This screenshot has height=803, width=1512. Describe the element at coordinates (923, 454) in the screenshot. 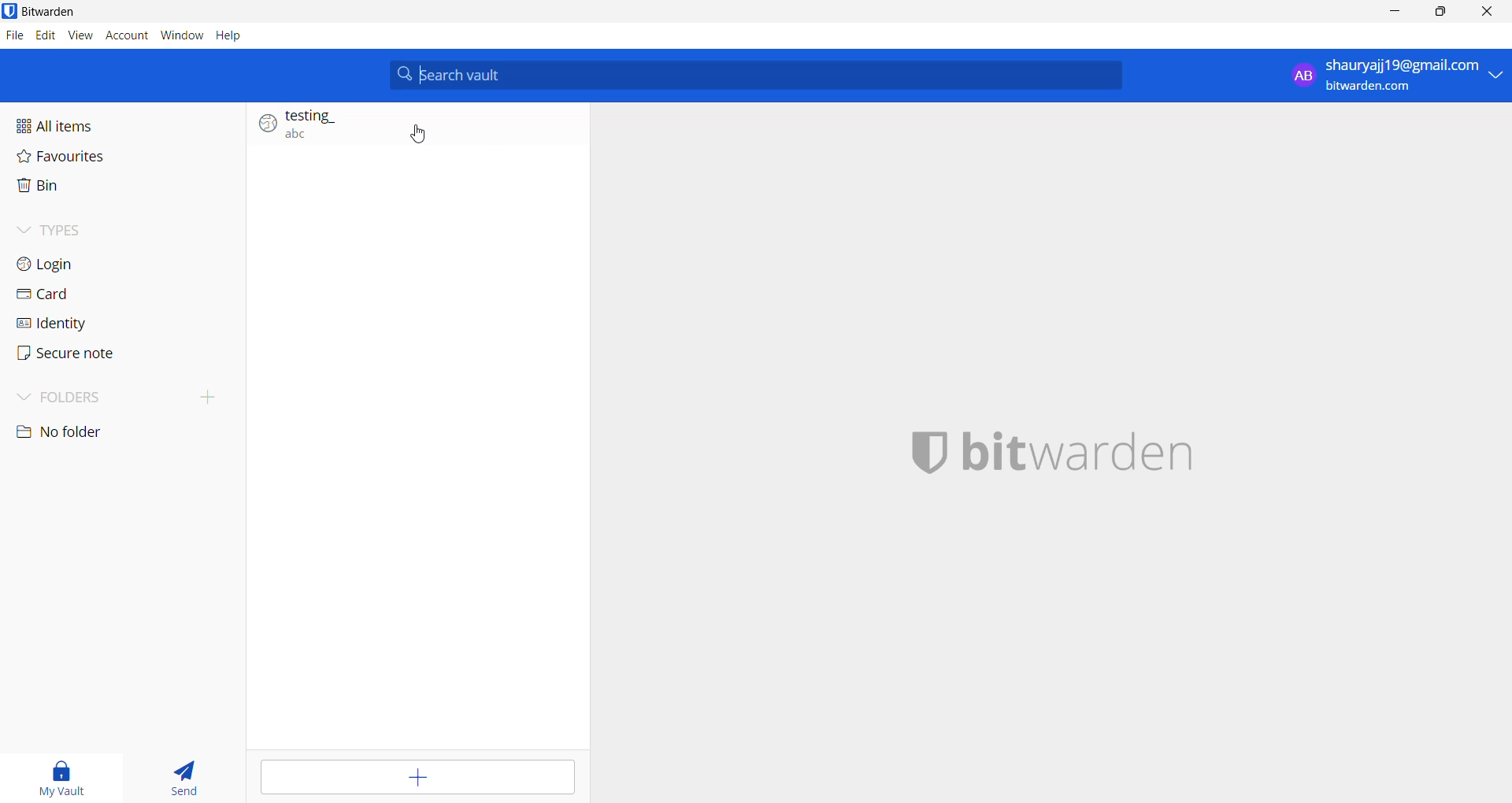

I see `Application logo` at that location.